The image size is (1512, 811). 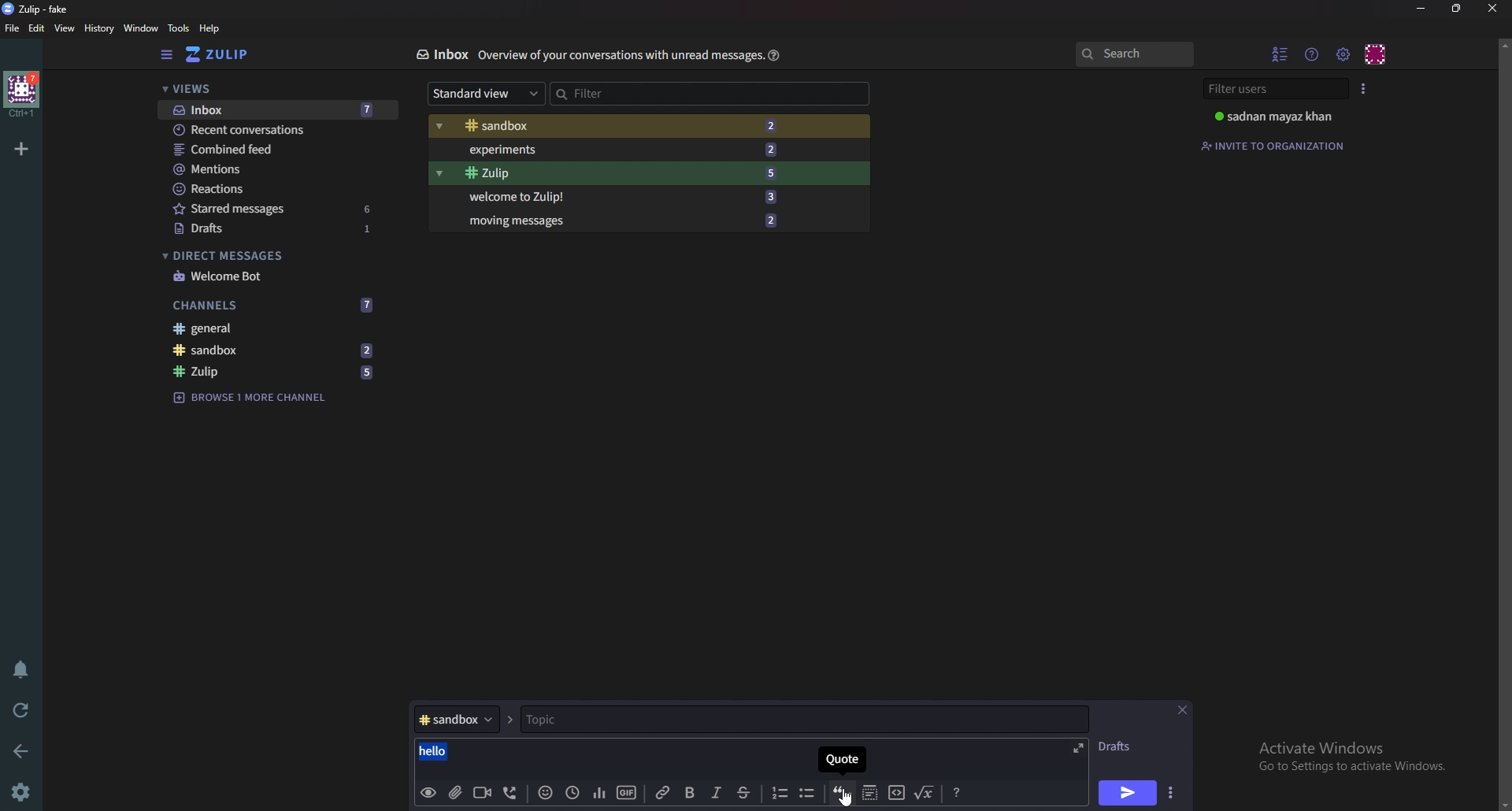 What do you see at coordinates (257, 131) in the screenshot?
I see `Recent conversations` at bounding box center [257, 131].